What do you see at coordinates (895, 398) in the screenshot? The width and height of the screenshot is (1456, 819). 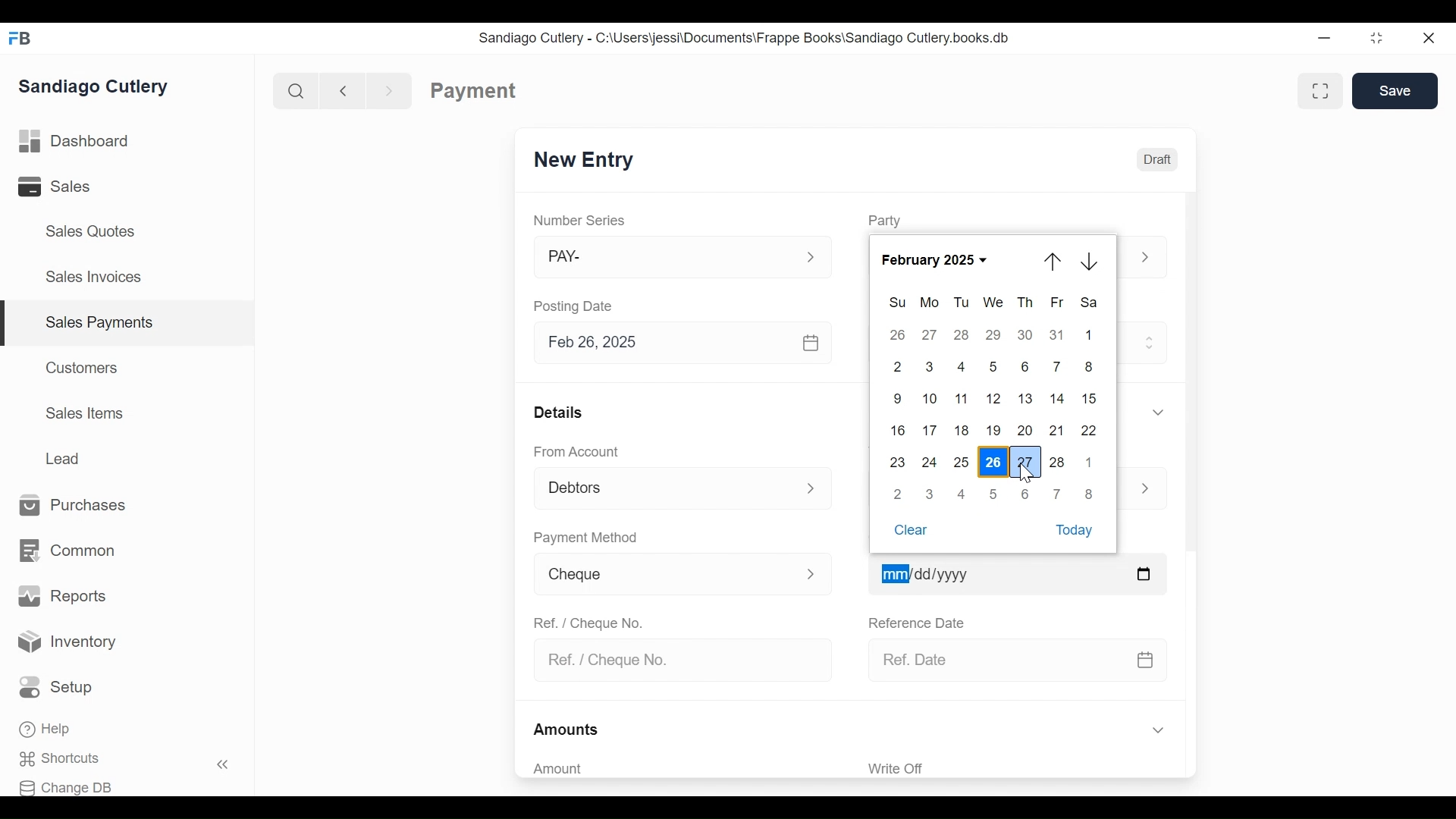 I see `9` at bounding box center [895, 398].